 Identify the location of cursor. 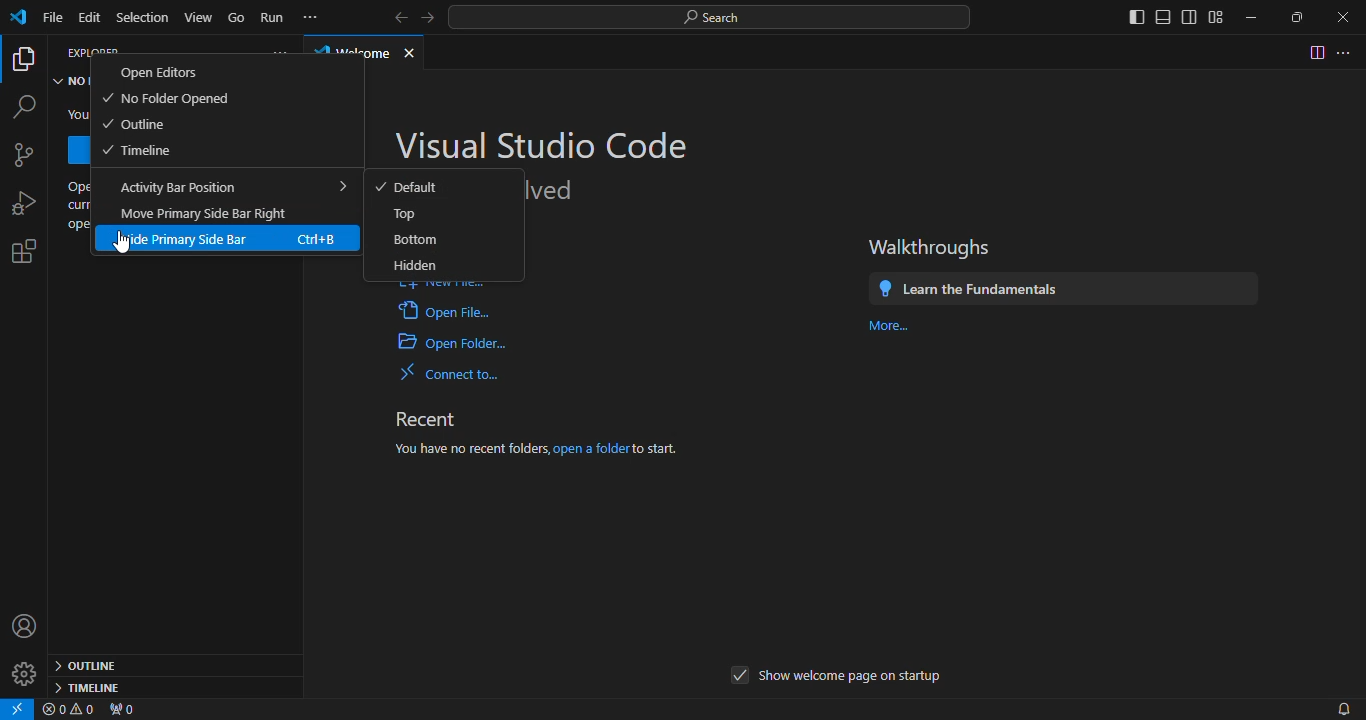
(121, 242).